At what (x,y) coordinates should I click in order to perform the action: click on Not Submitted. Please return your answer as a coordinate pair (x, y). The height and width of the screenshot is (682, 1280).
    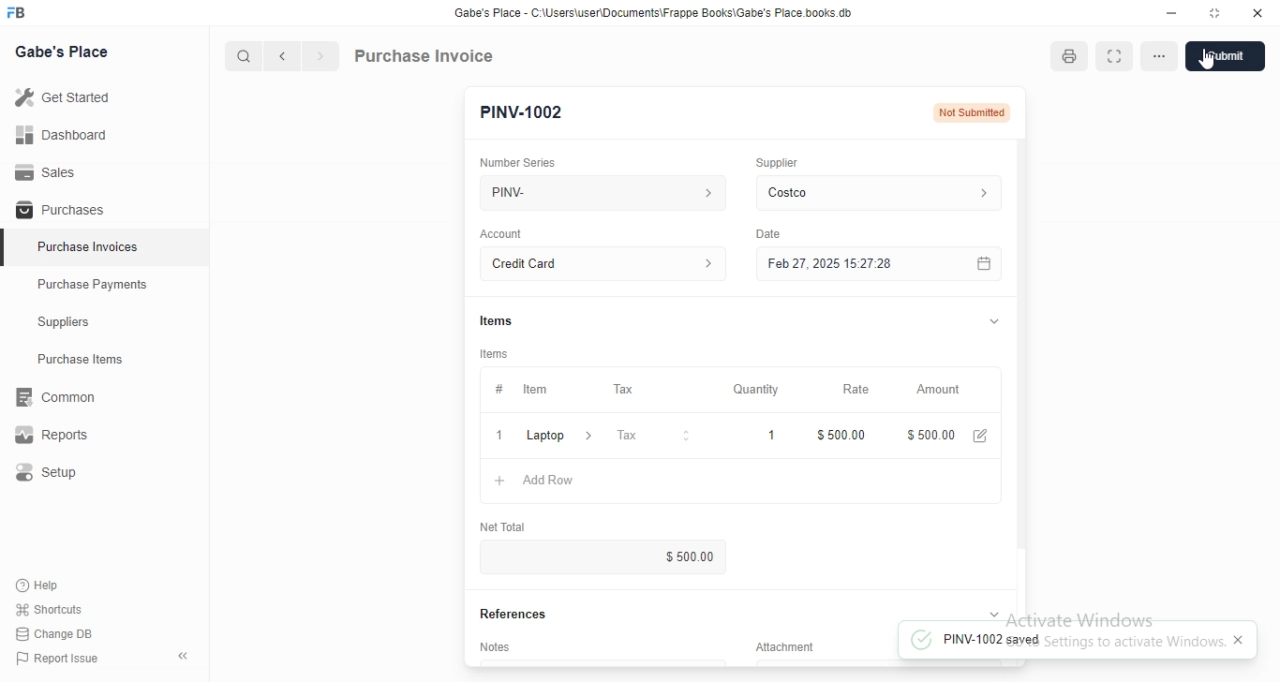
    Looking at the image, I should click on (972, 113).